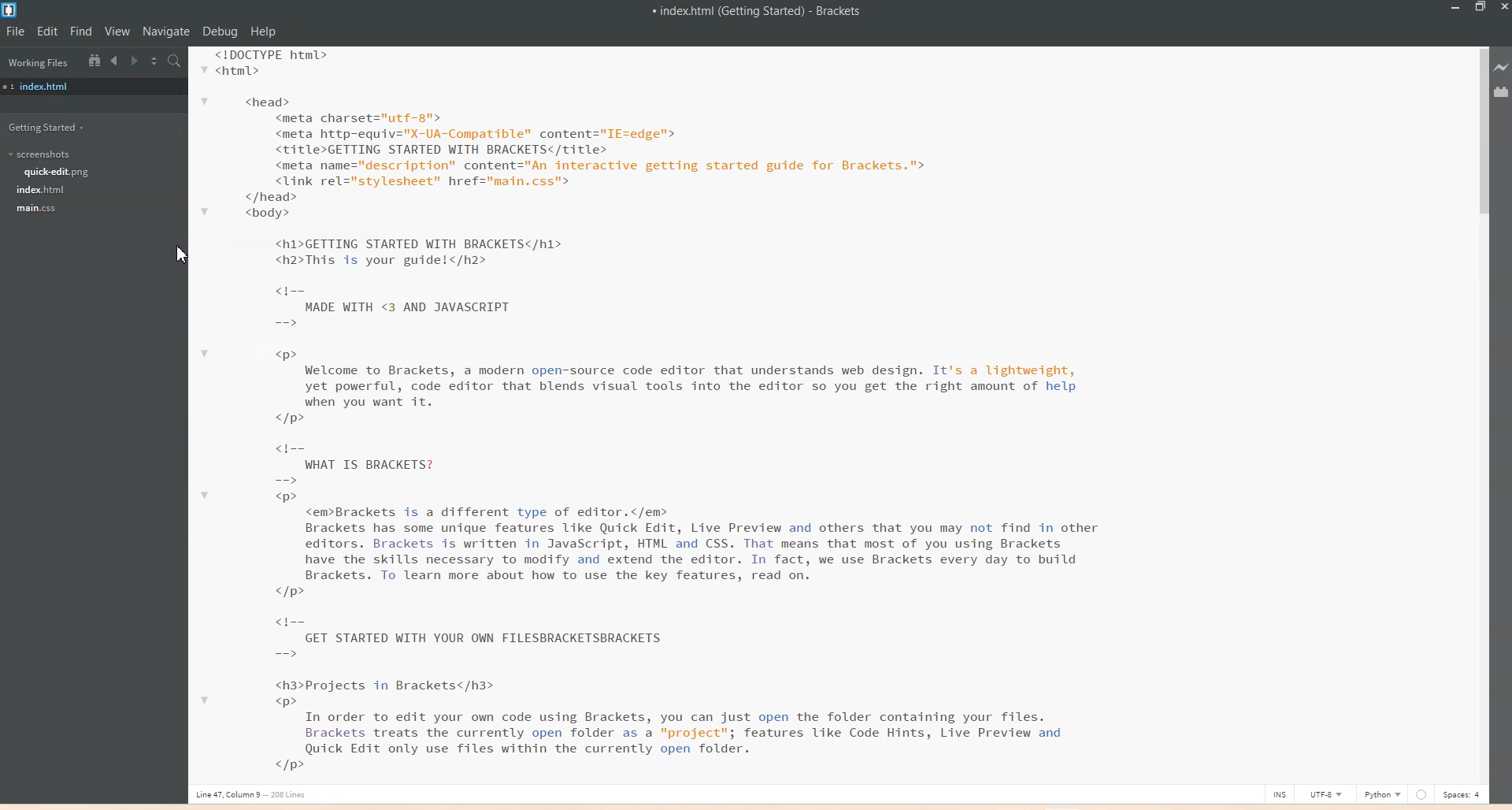 This screenshot has height=810, width=1512. What do you see at coordinates (264, 32) in the screenshot?
I see `Help` at bounding box center [264, 32].